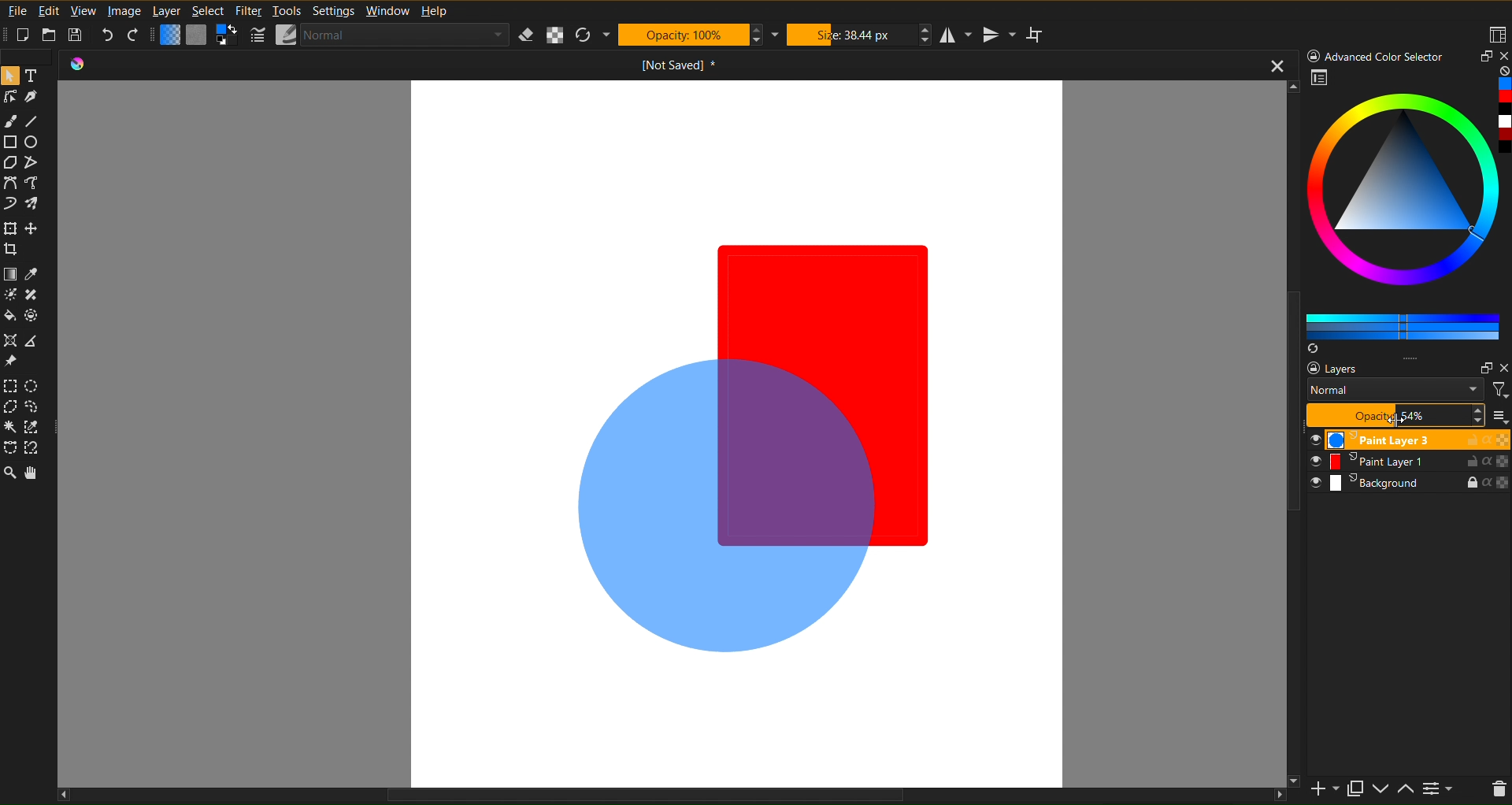  Describe the element at coordinates (1503, 367) in the screenshot. I see `close` at that location.